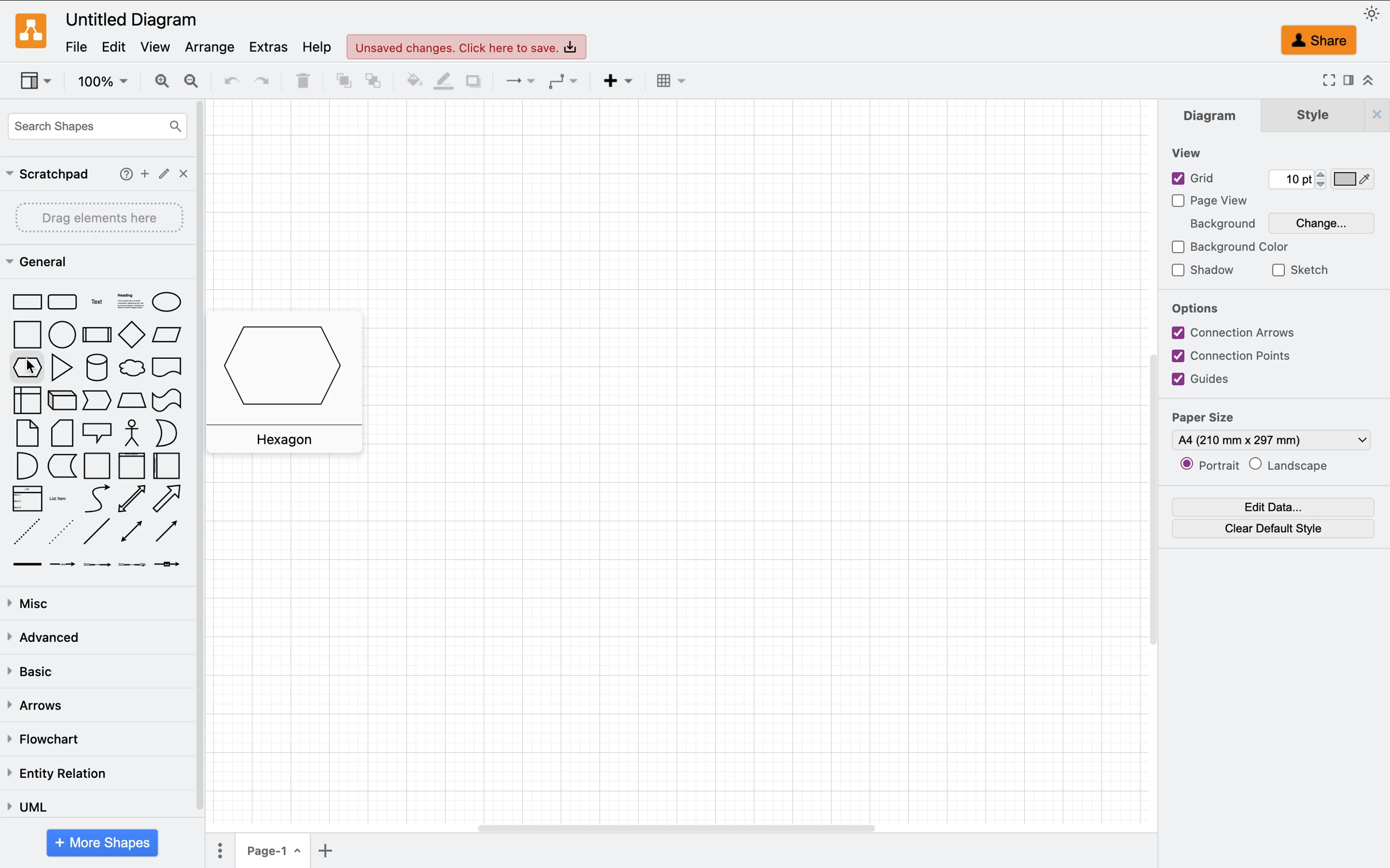 This screenshot has height=868, width=1390. What do you see at coordinates (562, 82) in the screenshot?
I see `waypoint` at bounding box center [562, 82].